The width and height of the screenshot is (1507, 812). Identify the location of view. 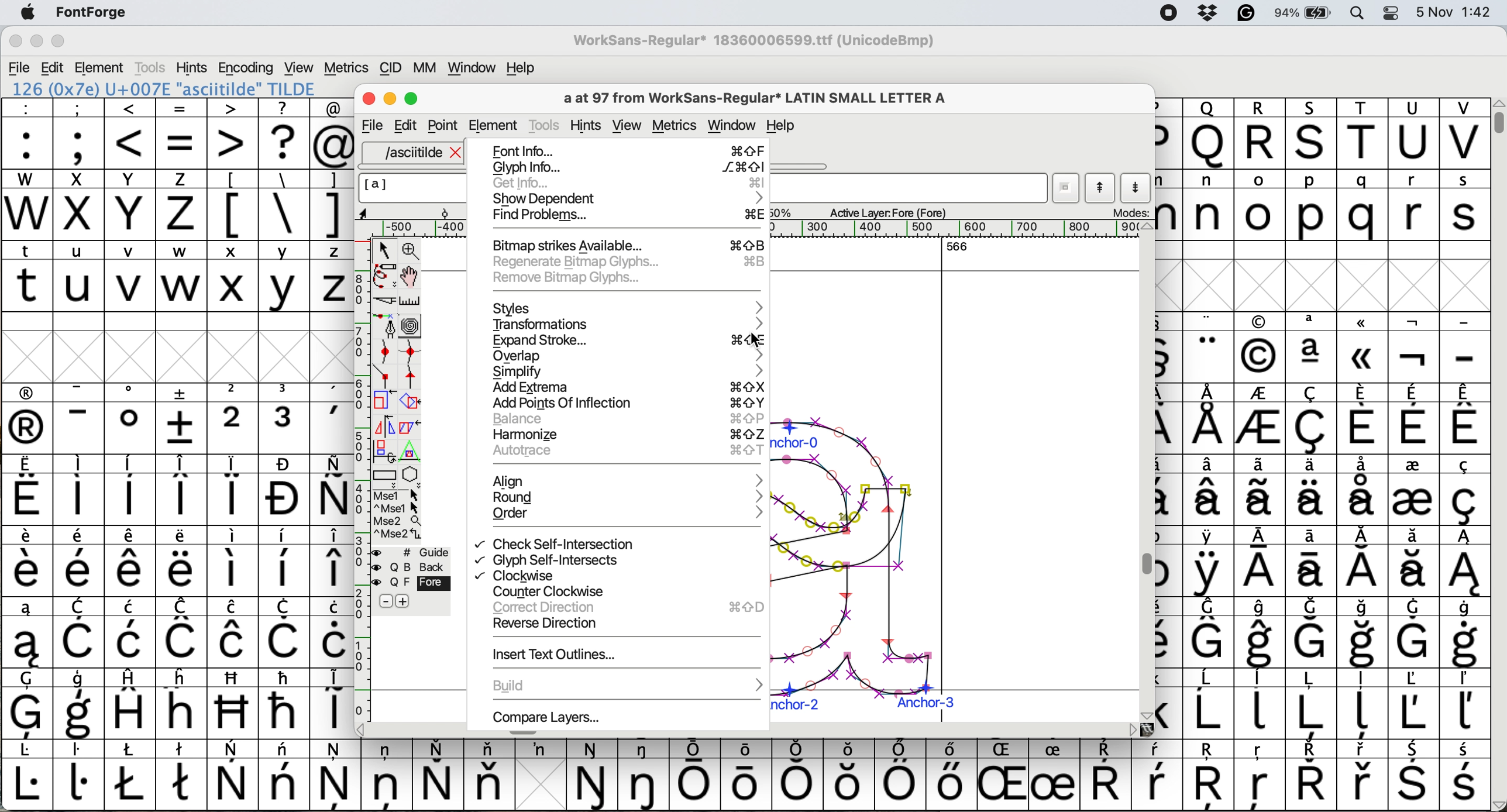
(297, 66).